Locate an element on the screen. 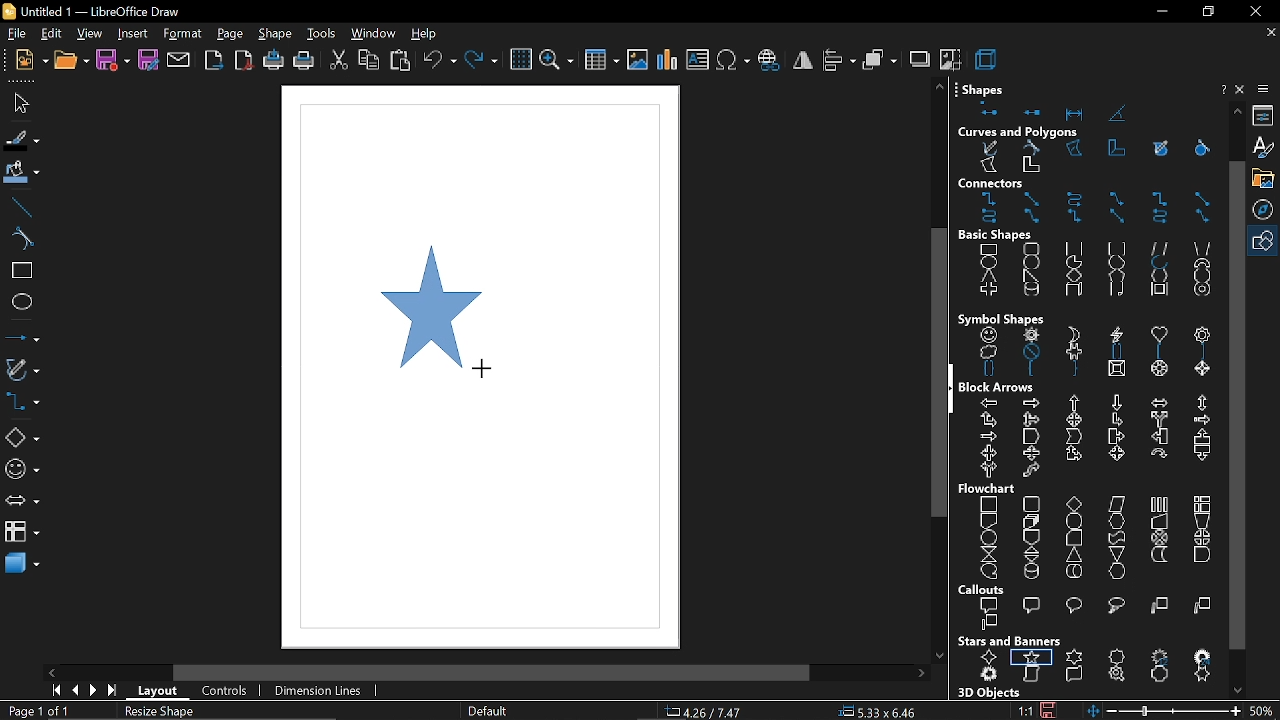 Image resolution: width=1280 pixels, height=720 pixels. insert text is located at coordinates (699, 60).